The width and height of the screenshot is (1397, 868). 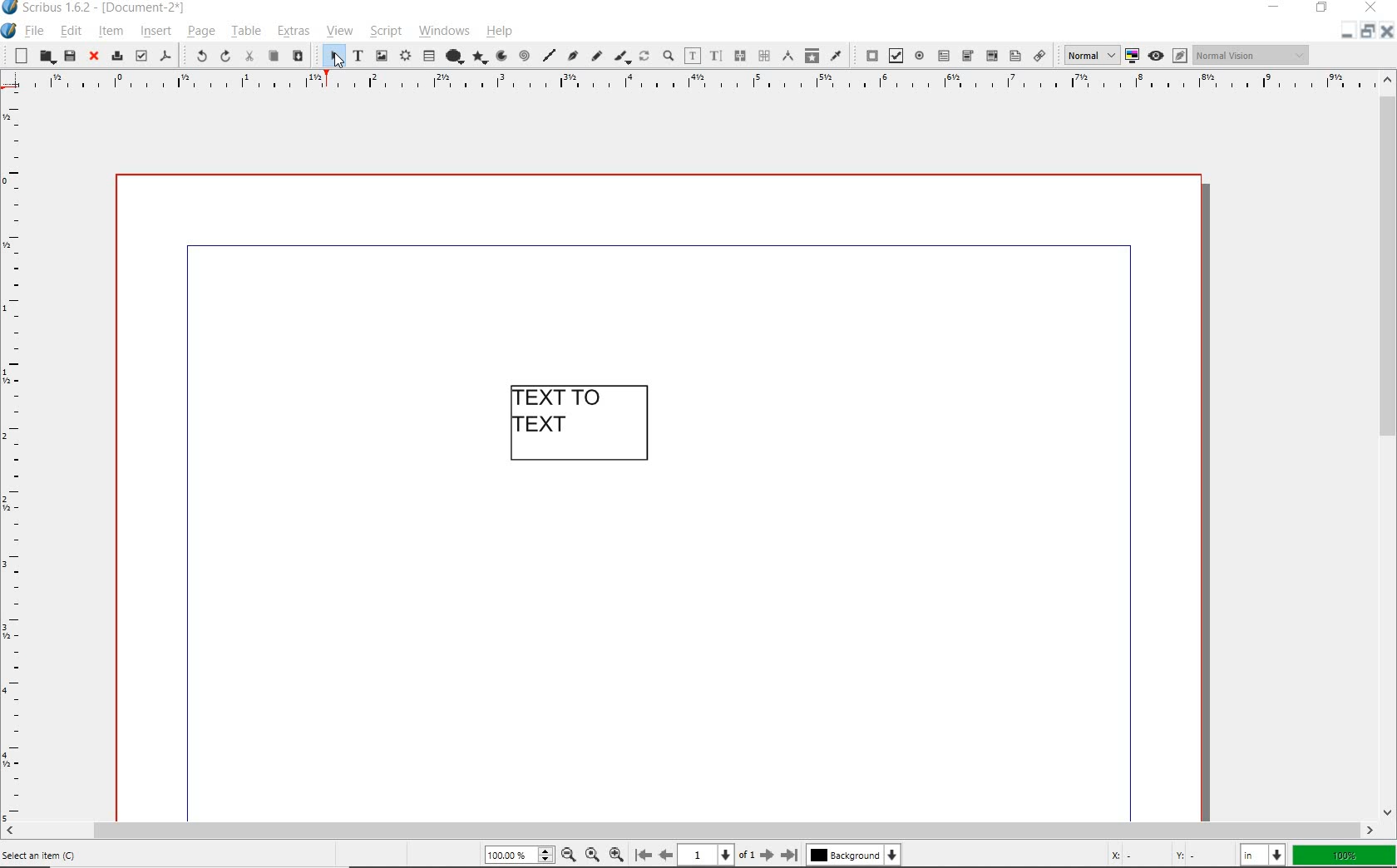 I want to click on save, so click(x=69, y=57).